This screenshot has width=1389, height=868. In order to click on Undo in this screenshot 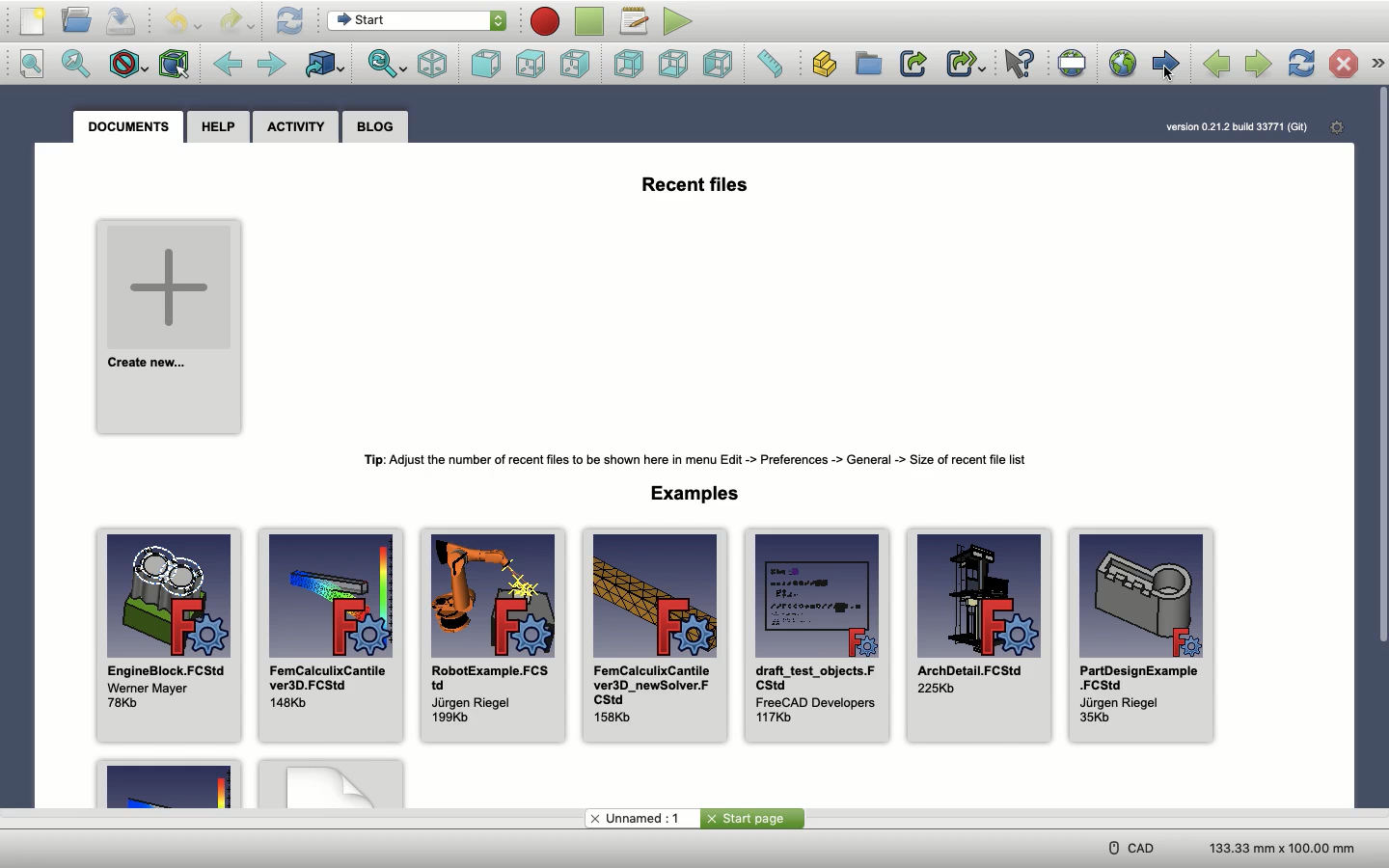, I will do `click(178, 21)`.